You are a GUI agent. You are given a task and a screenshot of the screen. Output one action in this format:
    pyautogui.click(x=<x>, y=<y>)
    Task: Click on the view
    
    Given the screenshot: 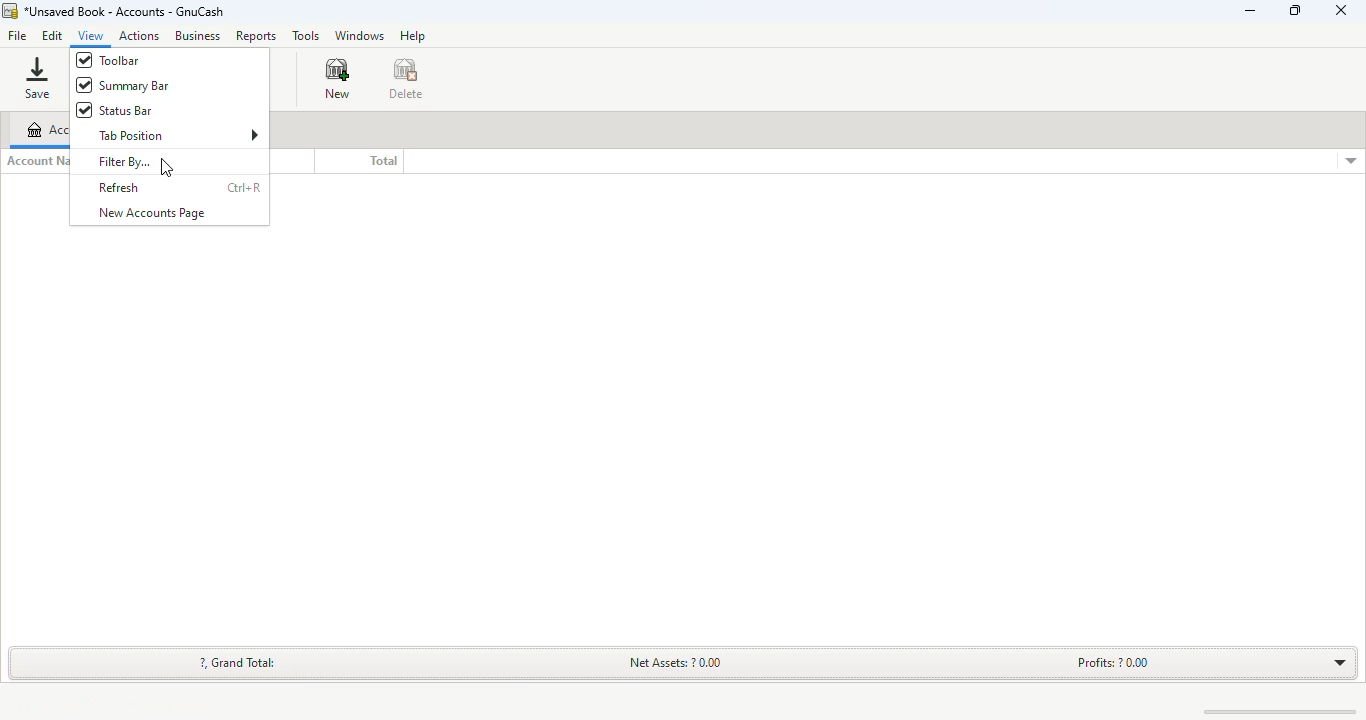 What is the action you would take?
    pyautogui.click(x=92, y=35)
    